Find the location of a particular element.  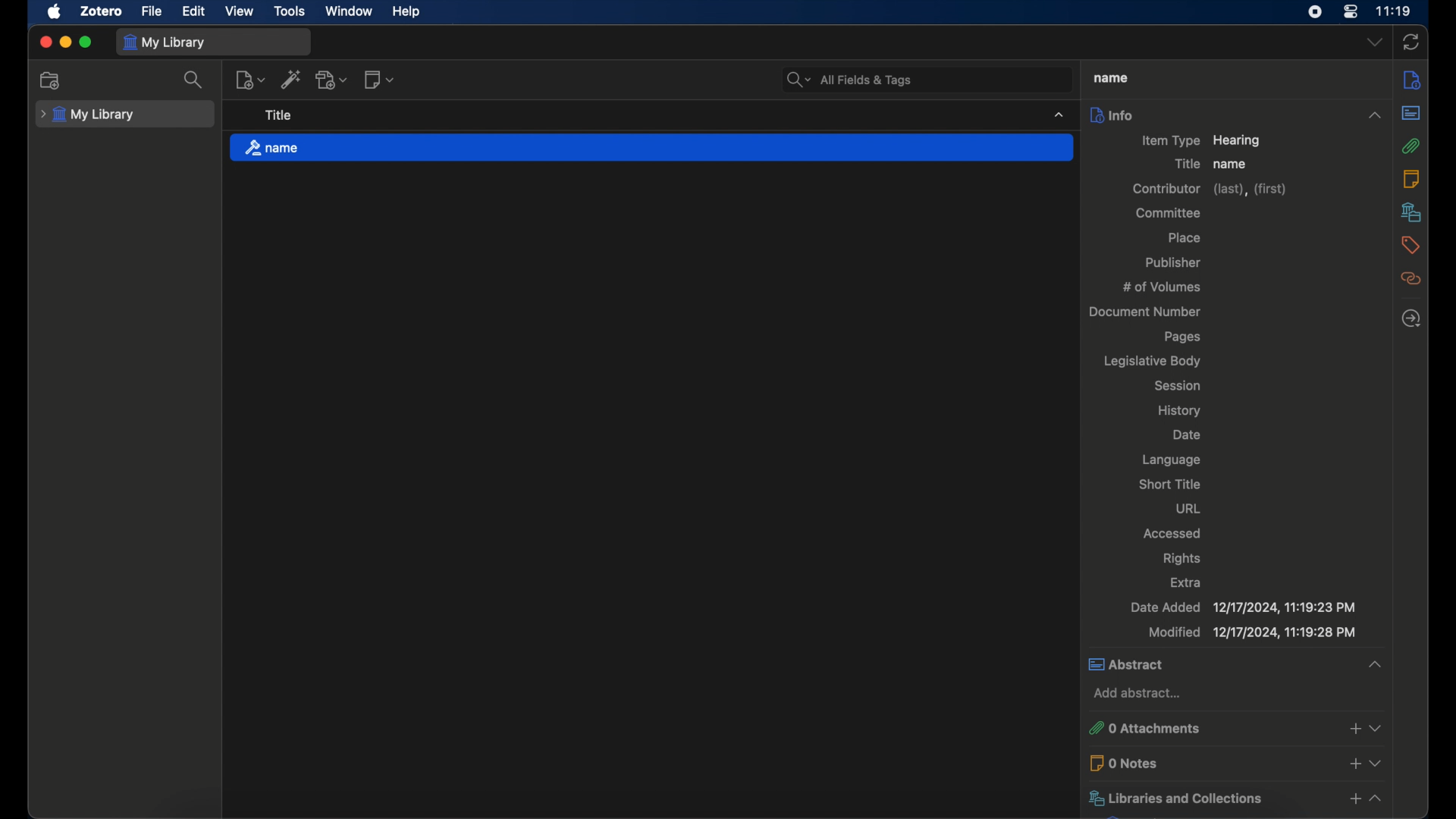

related is located at coordinates (1410, 278).